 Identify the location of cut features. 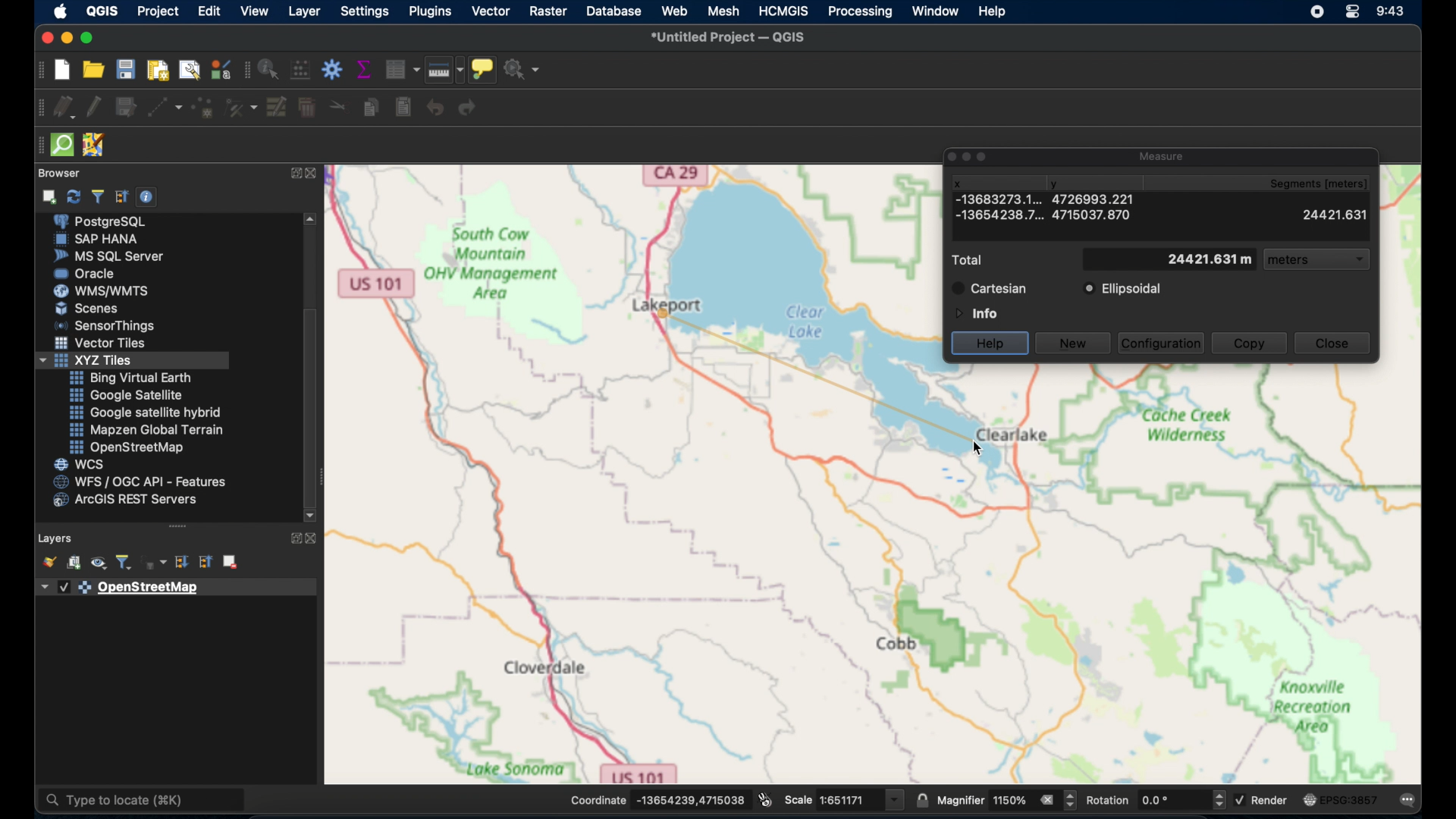
(335, 105).